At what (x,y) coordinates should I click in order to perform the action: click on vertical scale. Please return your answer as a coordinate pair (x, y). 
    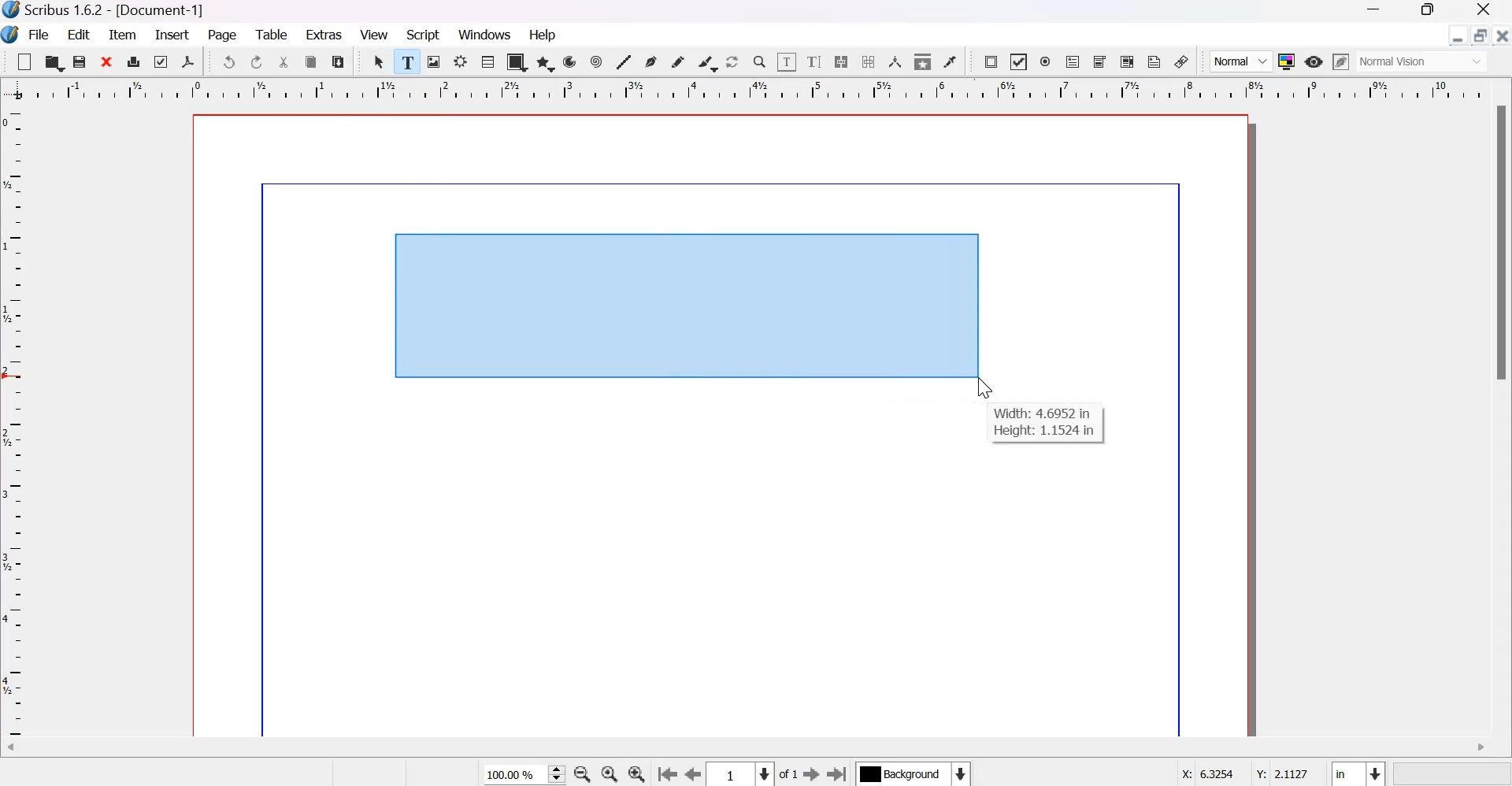
    Looking at the image, I should click on (18, 423).